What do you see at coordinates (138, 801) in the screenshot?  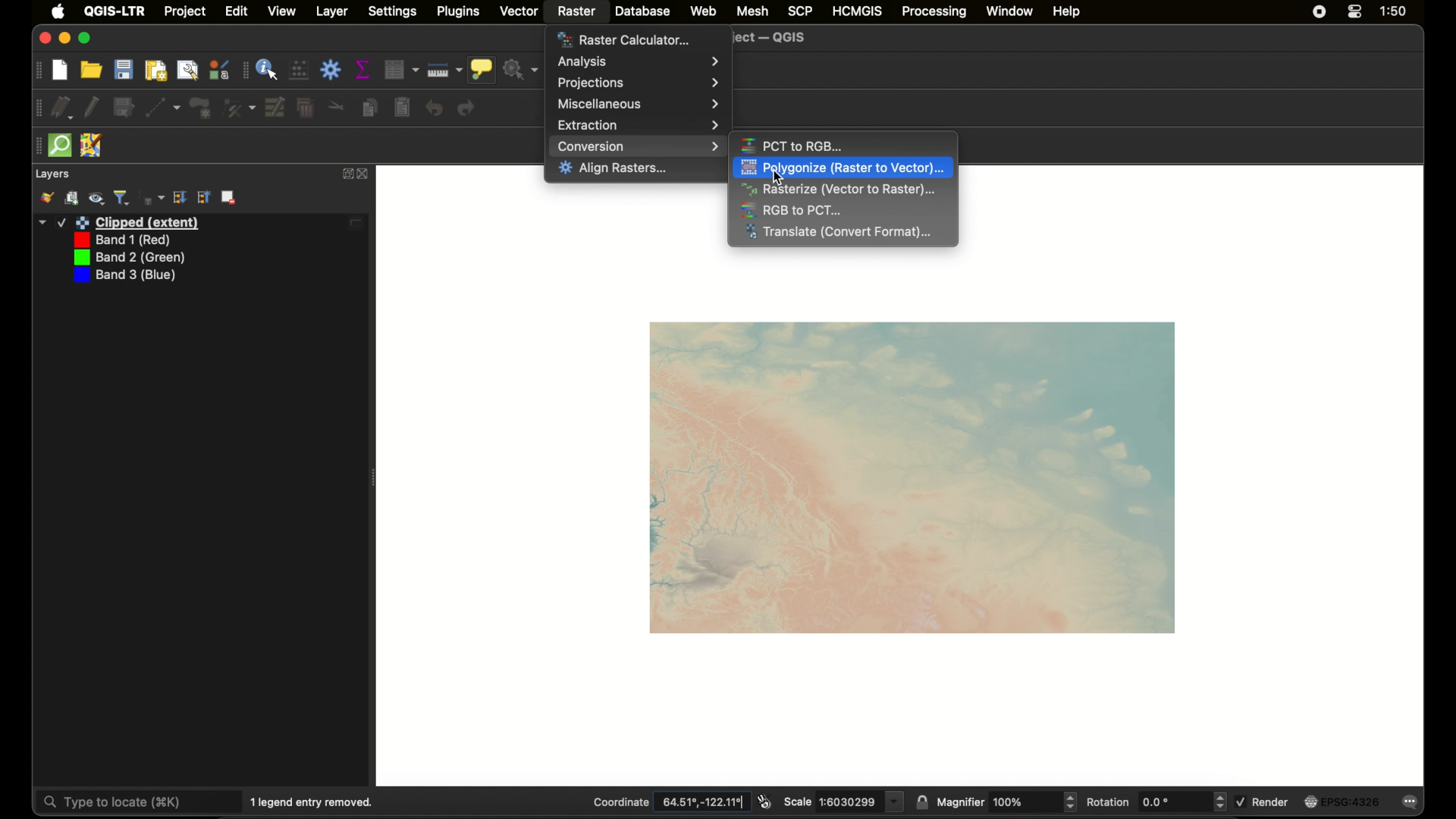 I see `type to locate` at bounding box center [138, 801].